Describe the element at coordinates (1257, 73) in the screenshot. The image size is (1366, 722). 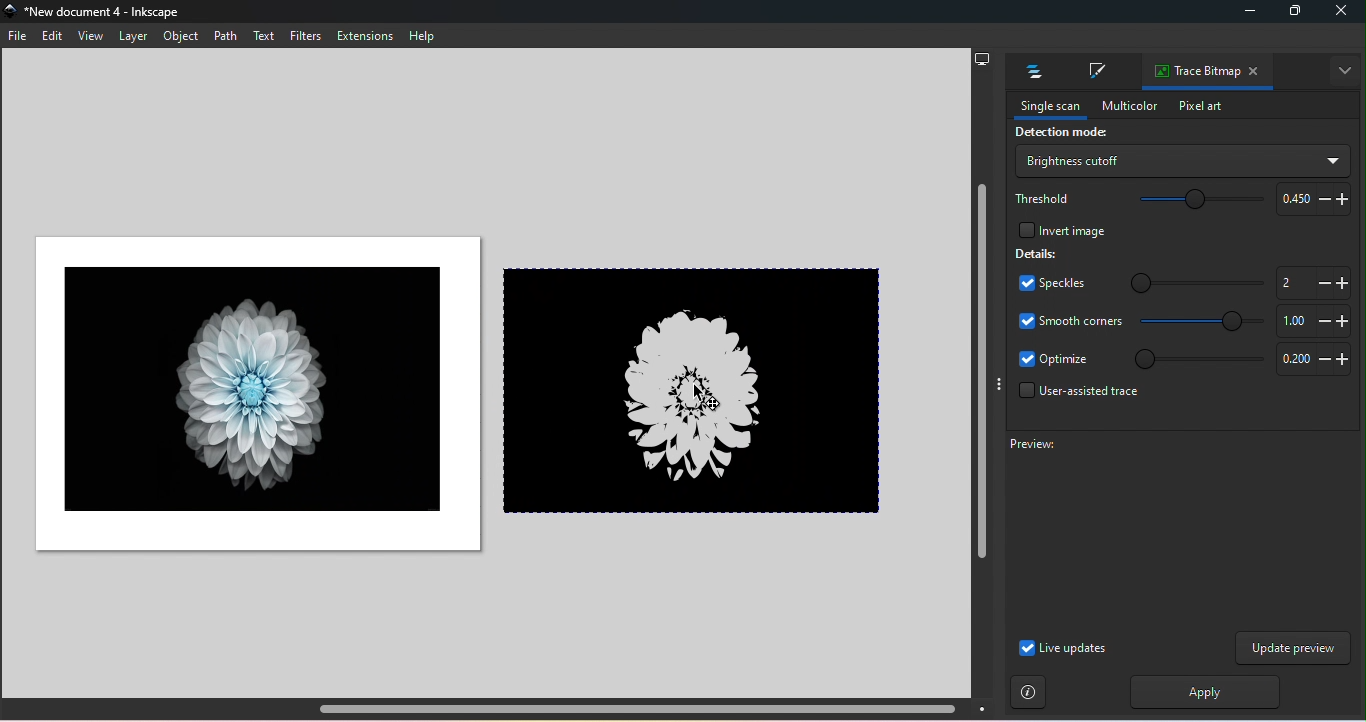
I see `Close tab` at that location.